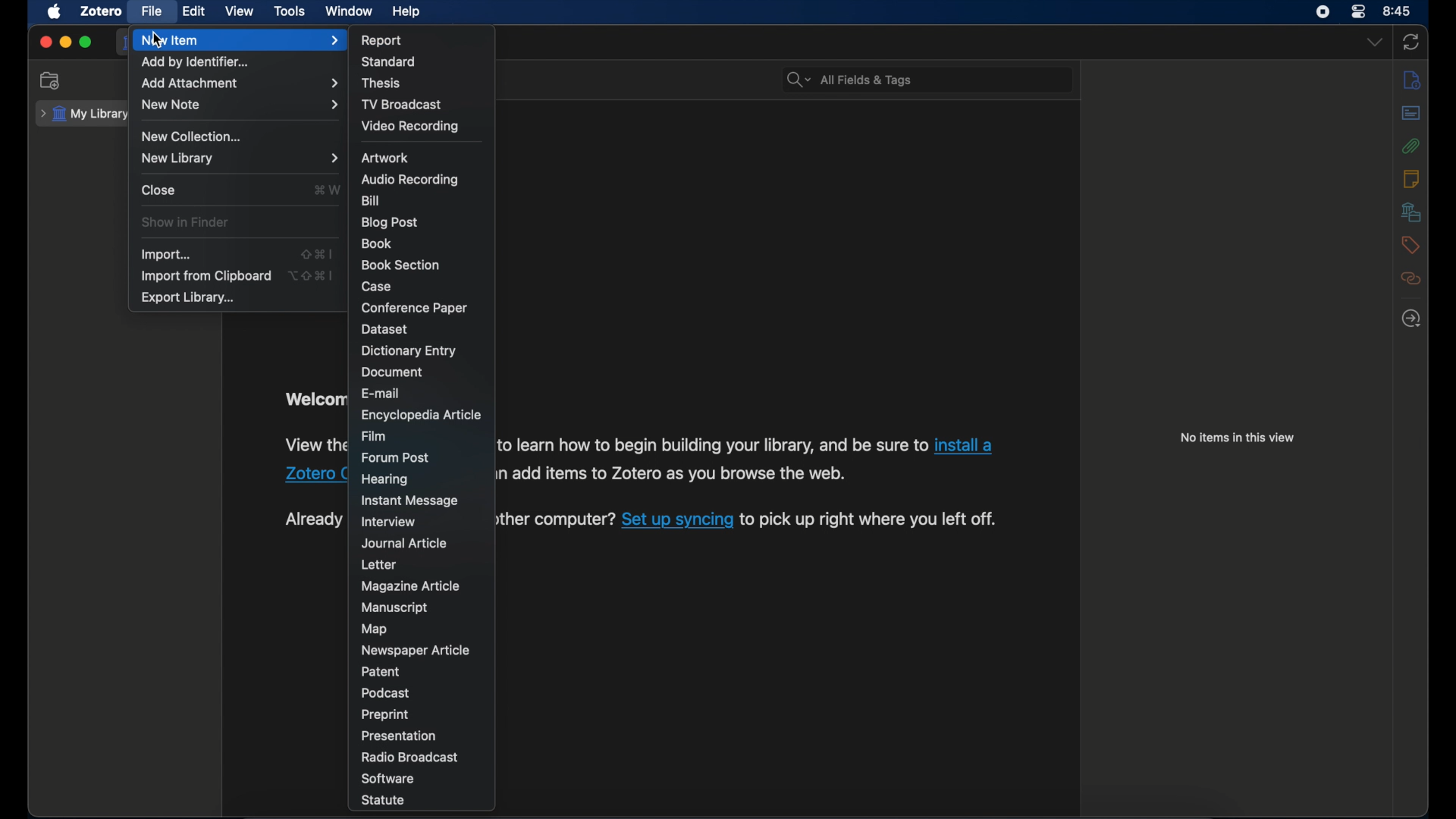 The height and width of the screenshot is (819, 1456). What do you see at coordinates (51, 80) in the screenshot?
I see `new collection` at bounding box center [51, 80].